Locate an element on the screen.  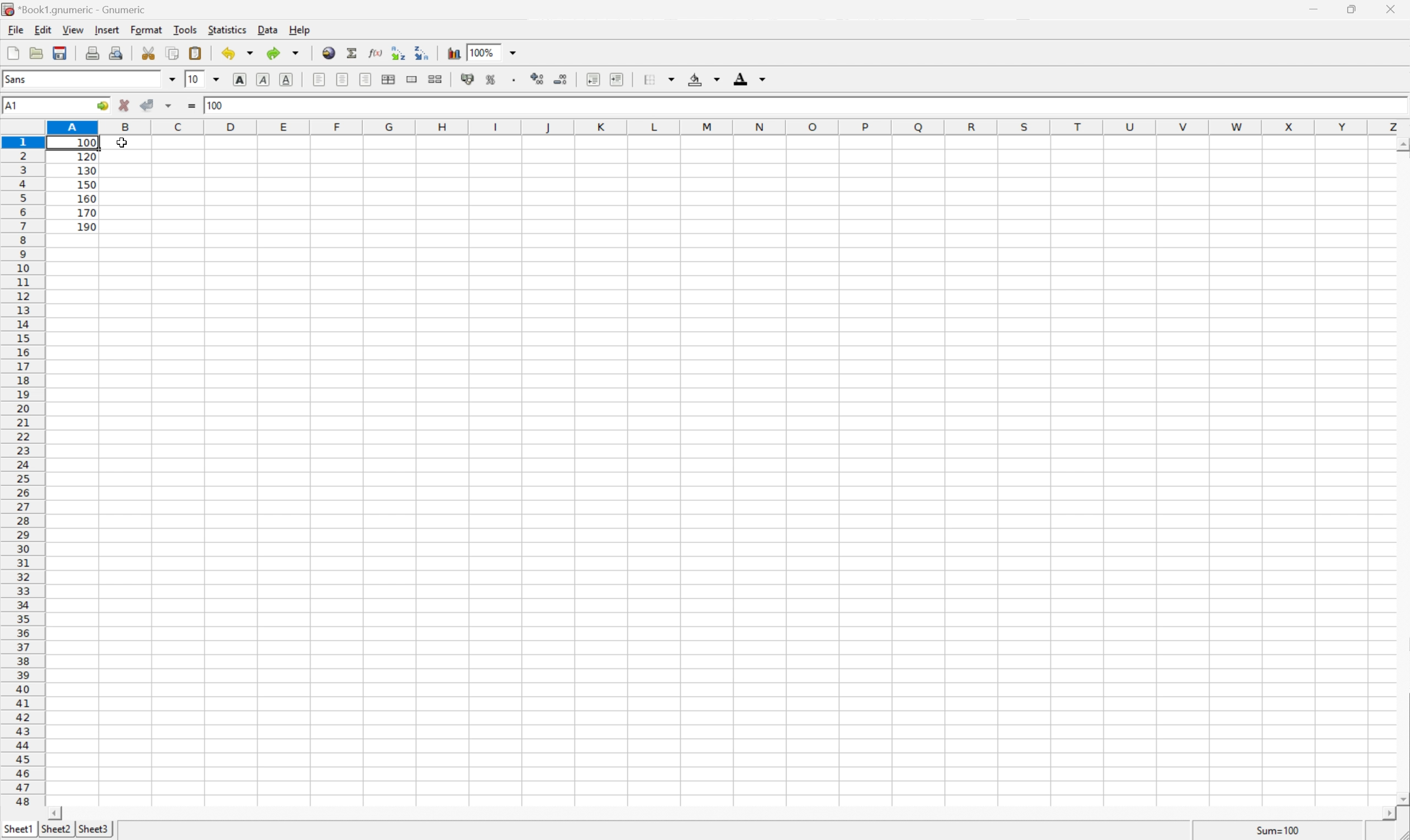
Split the ranges of merged cells is located at coordinates (435, 79).